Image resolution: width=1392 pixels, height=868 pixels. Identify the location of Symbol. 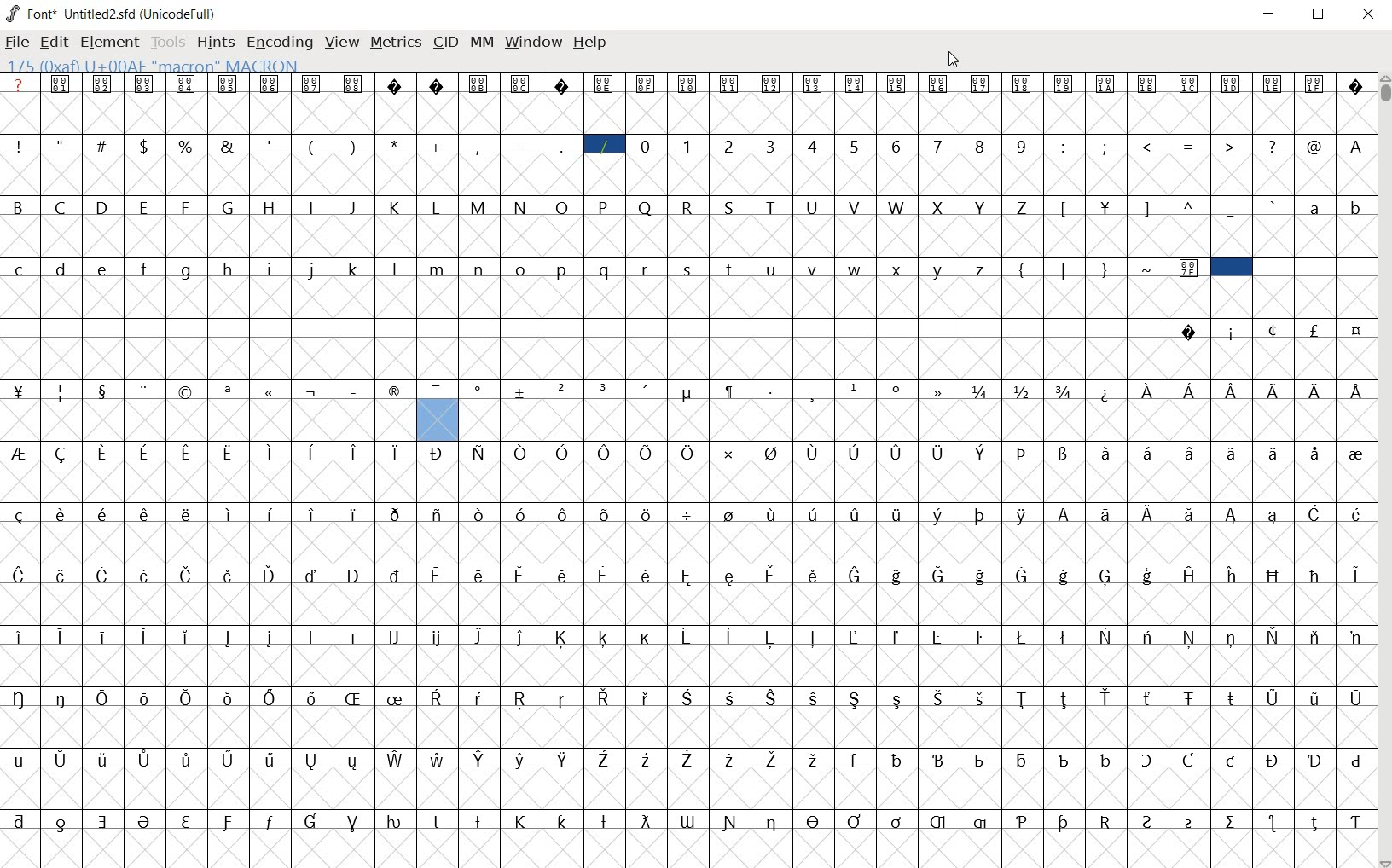
(1274, 331).